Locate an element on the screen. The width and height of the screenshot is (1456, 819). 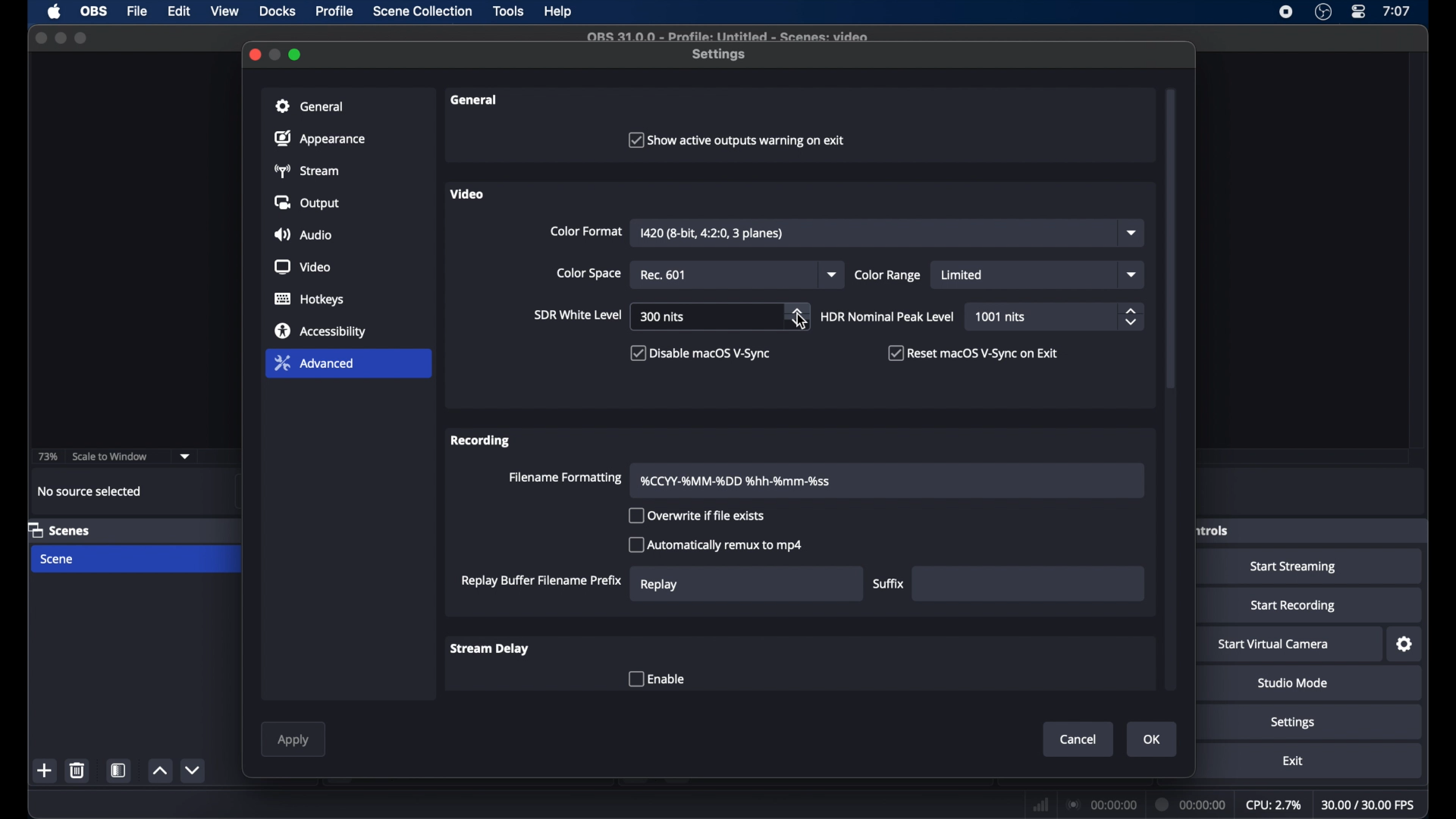
cursor is located at coordinates (802, 322).